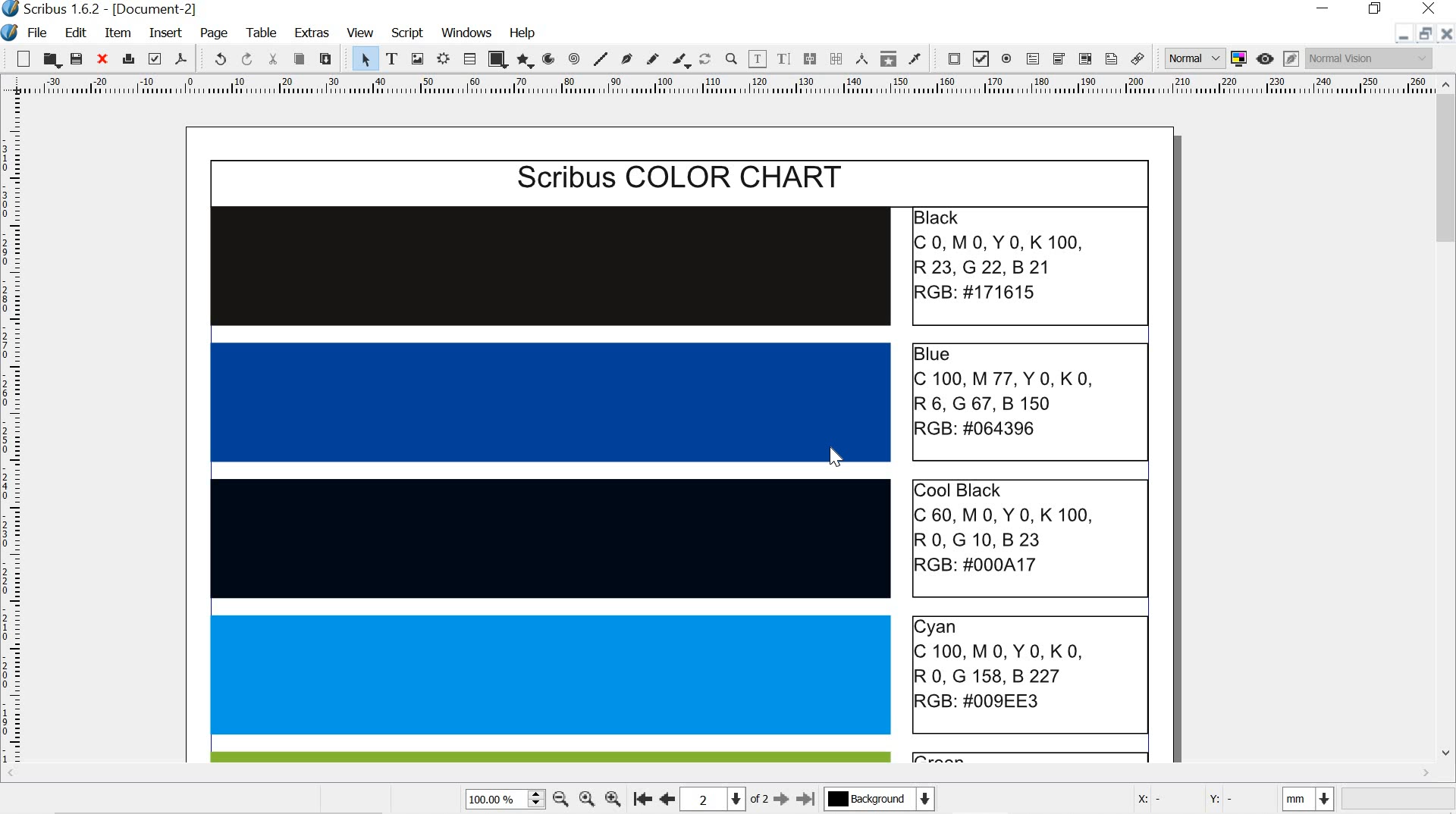 Image resolution: width=1456 pixels, height=814 pixels. Describe the element at coordinates (585, 799) in the screenshot. I see `Center` at that location.